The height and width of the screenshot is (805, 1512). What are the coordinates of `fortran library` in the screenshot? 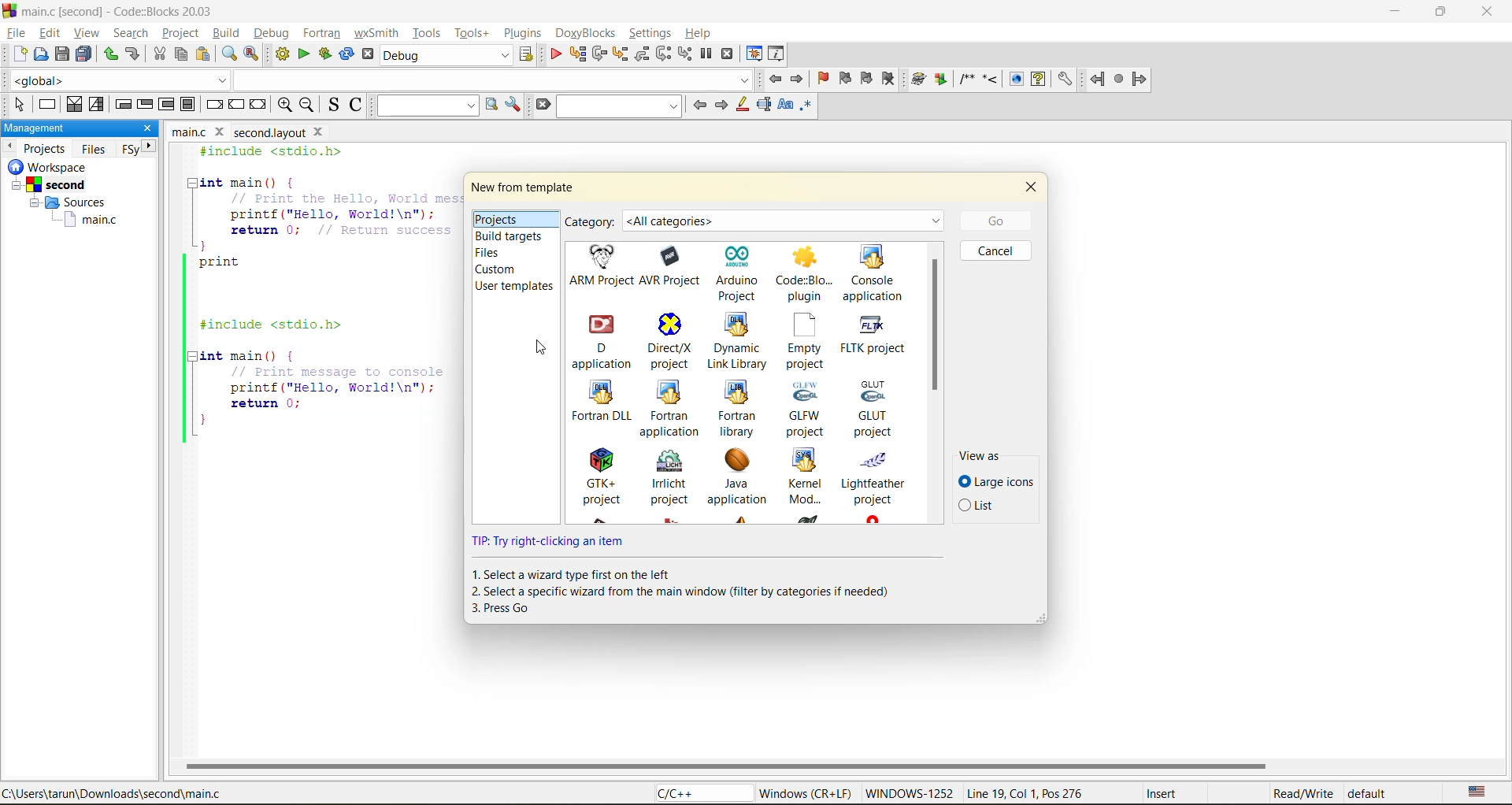 It's located at (739, 409).